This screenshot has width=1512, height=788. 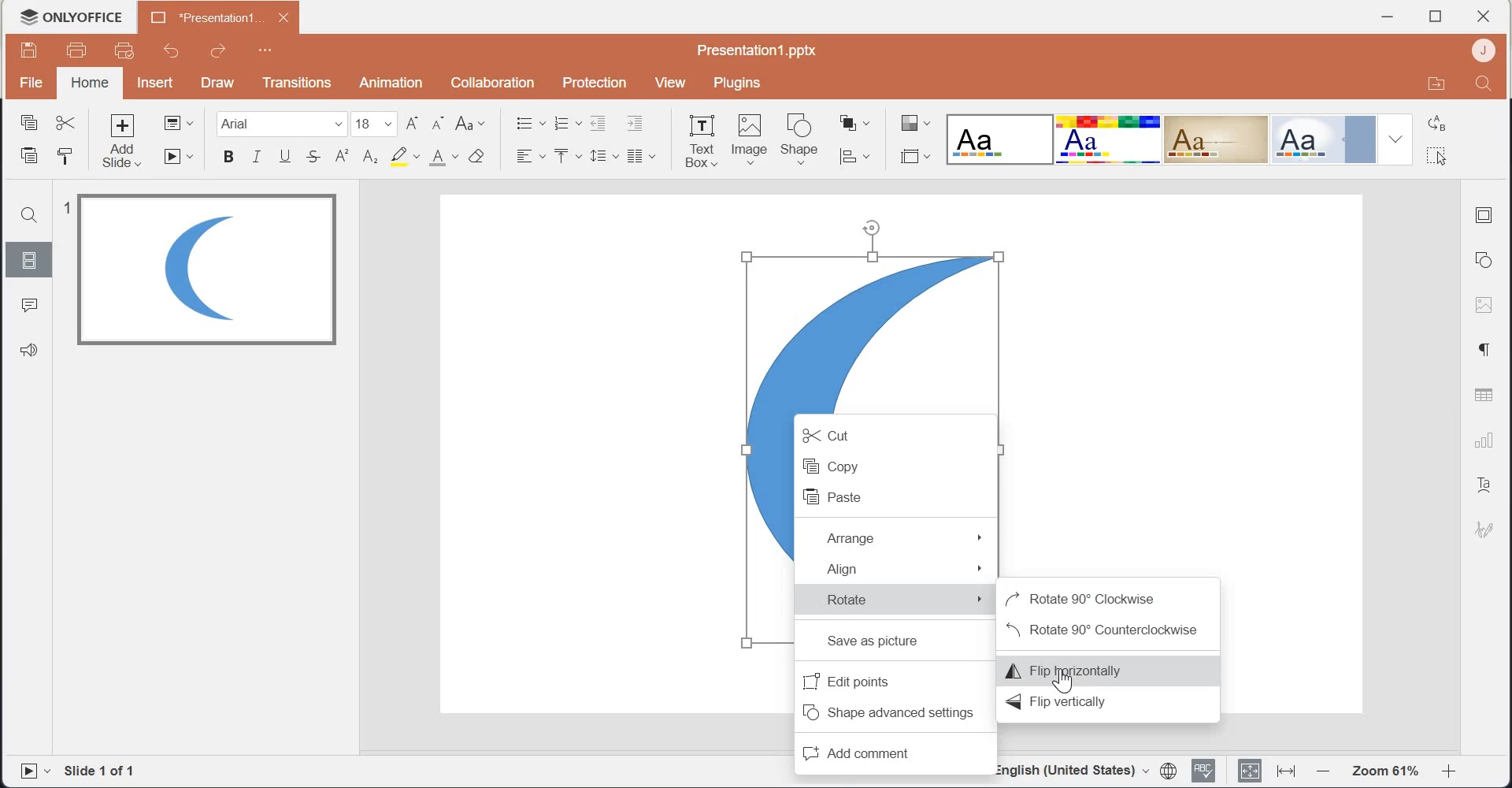 I want to click on Strike through, so click(x=314, y=156).